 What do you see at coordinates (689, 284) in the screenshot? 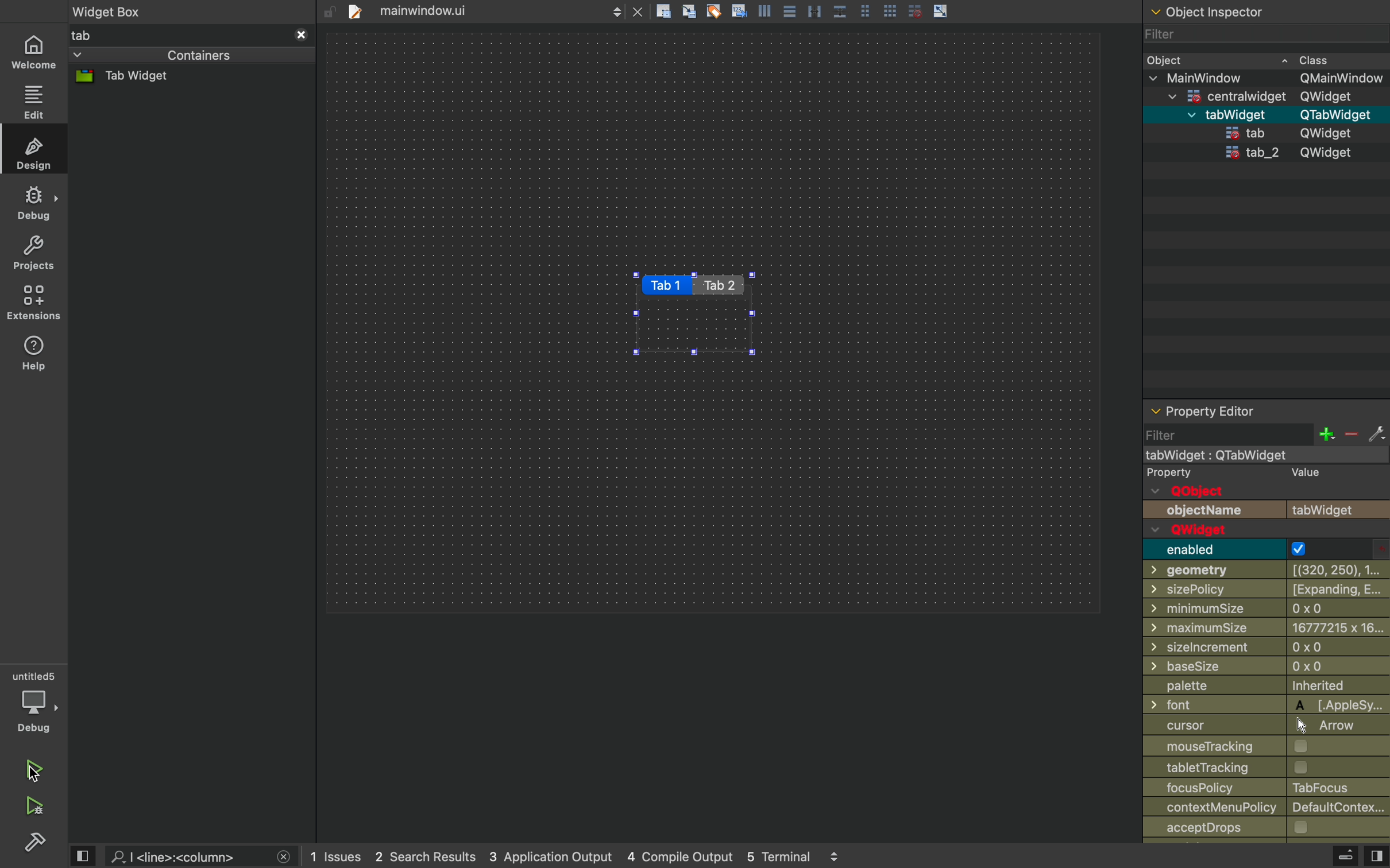
I see `tab1 tab2` at bounding box center [689, 284].